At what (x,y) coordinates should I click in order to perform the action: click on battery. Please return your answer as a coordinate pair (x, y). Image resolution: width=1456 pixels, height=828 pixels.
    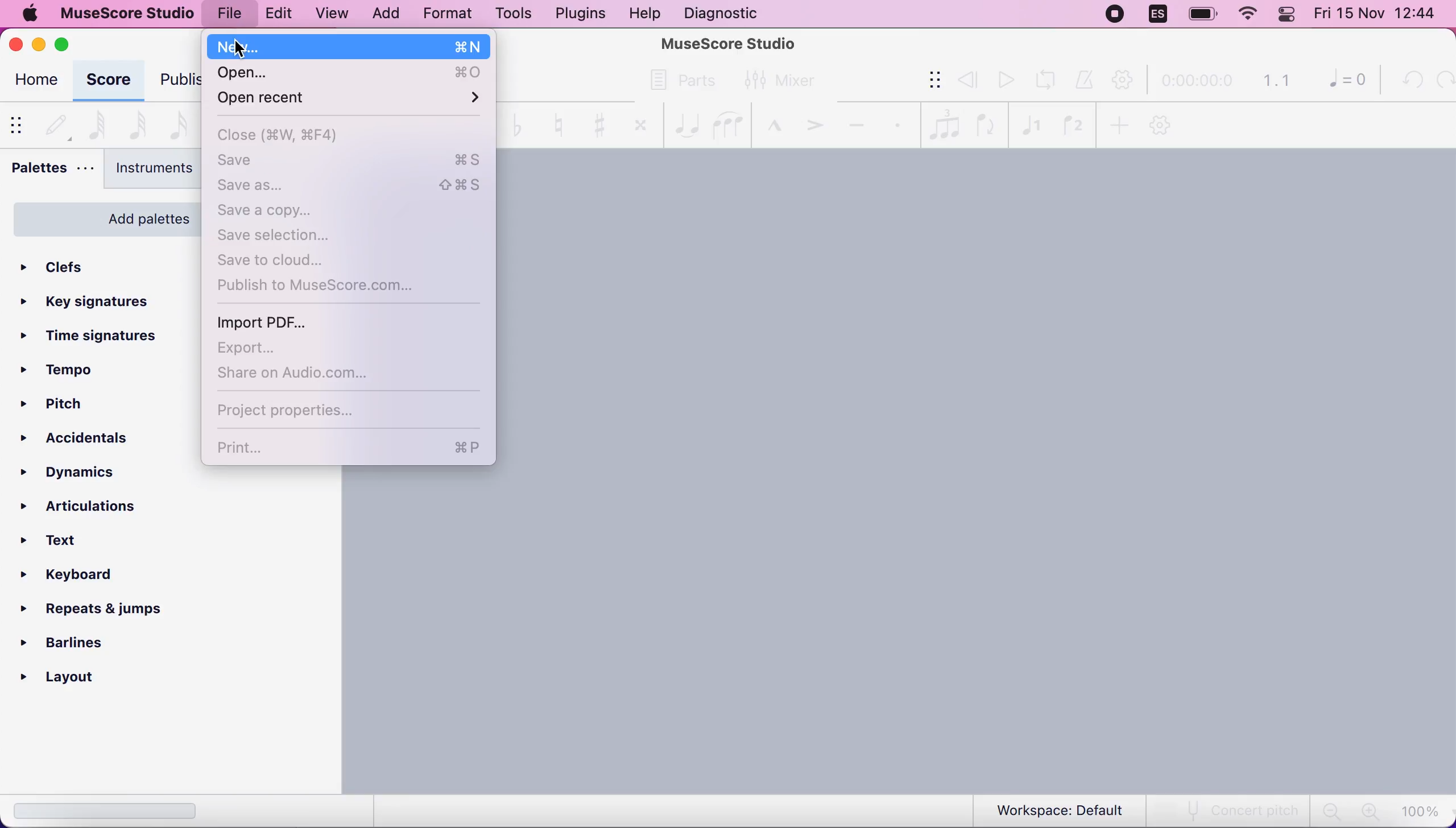
    Looking at the image, I should click on (1198, 15).